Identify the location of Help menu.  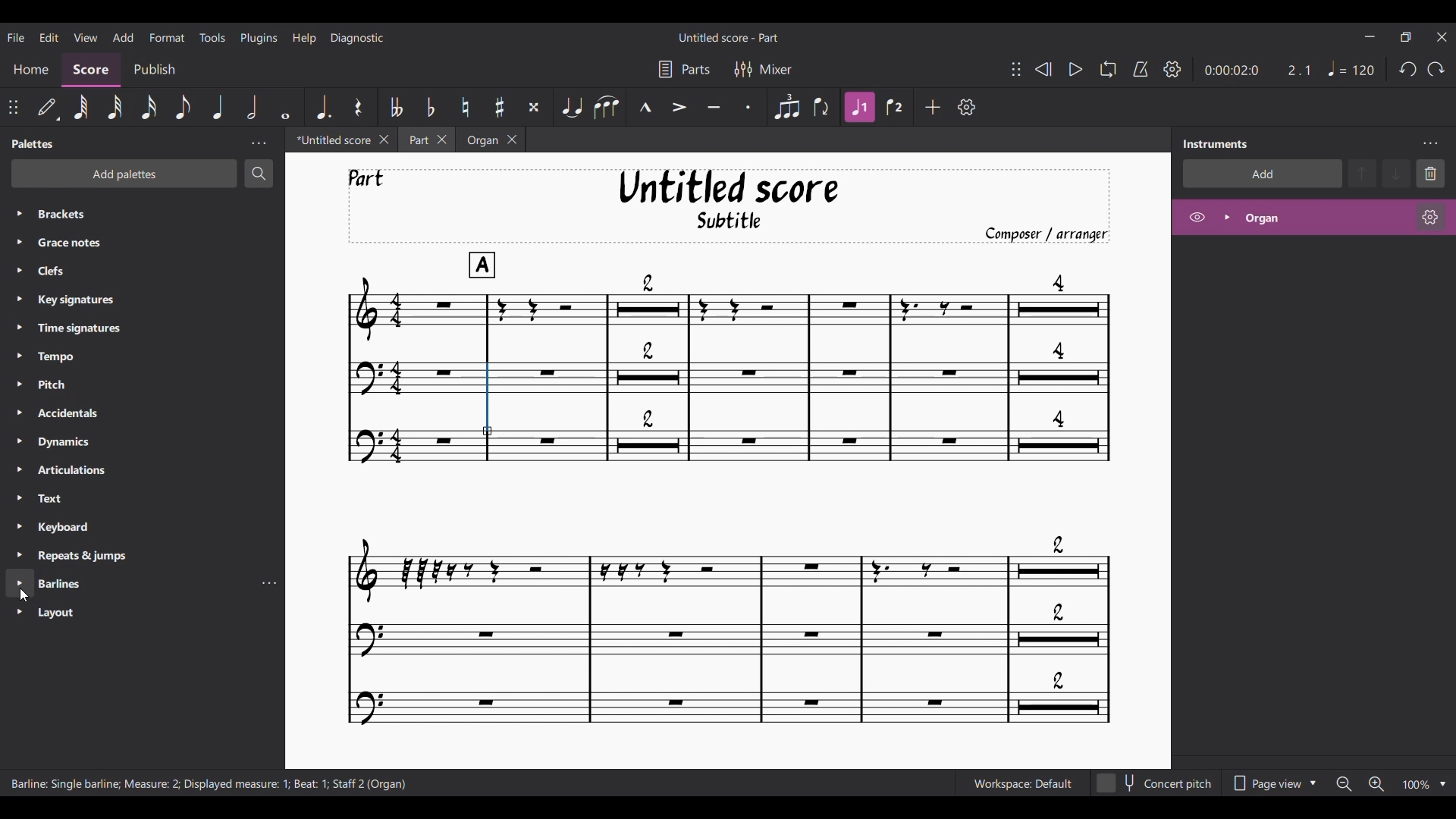
(304, 38).